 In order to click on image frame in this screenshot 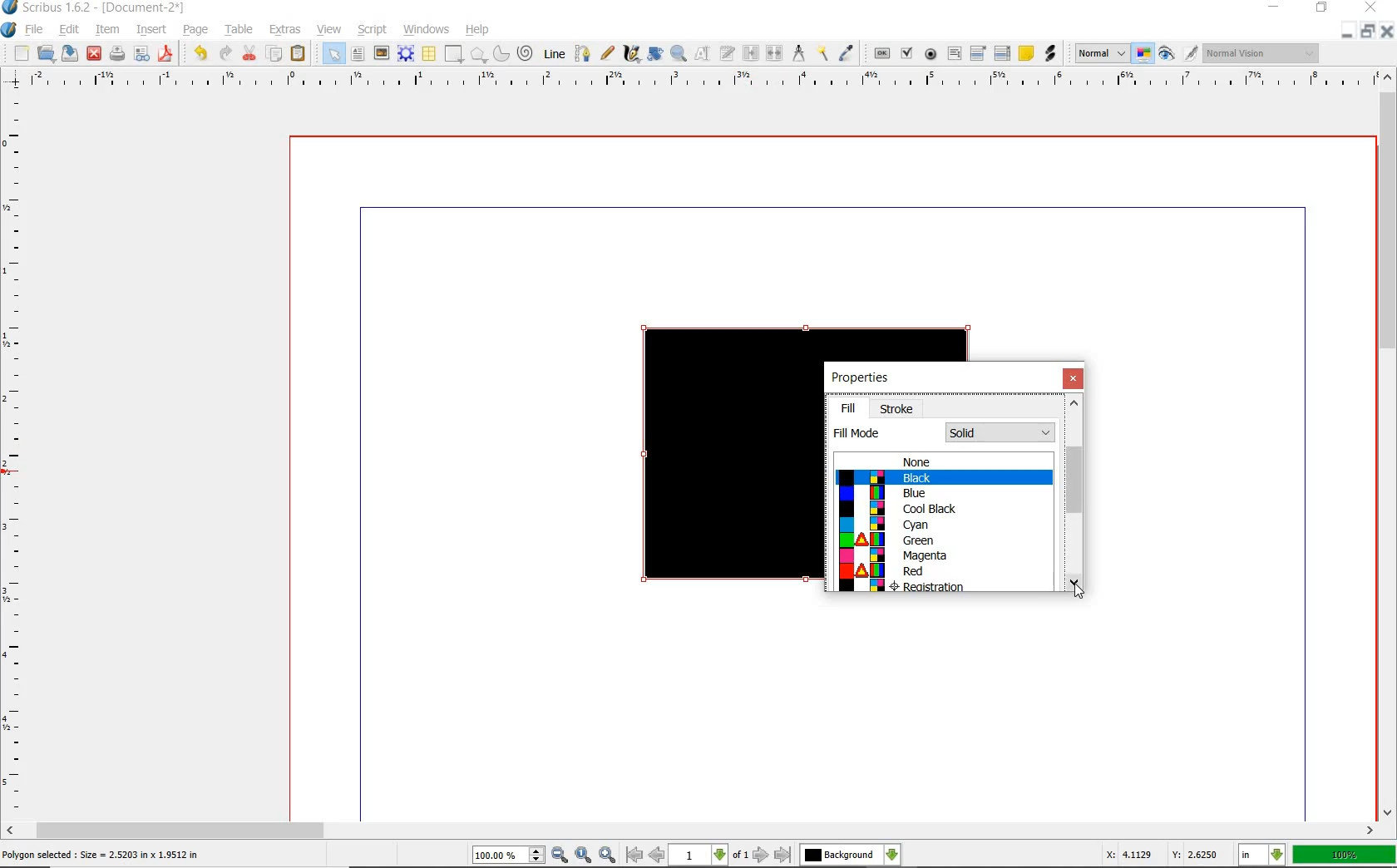, I will do `click(383, 54)`.